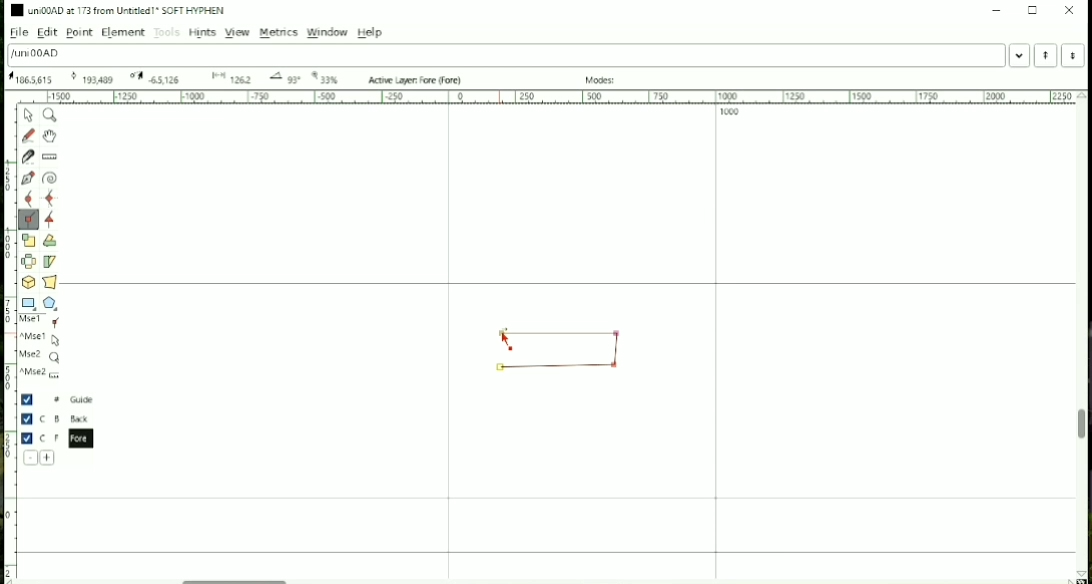  I want to click on Mse1, so click(43, 322).